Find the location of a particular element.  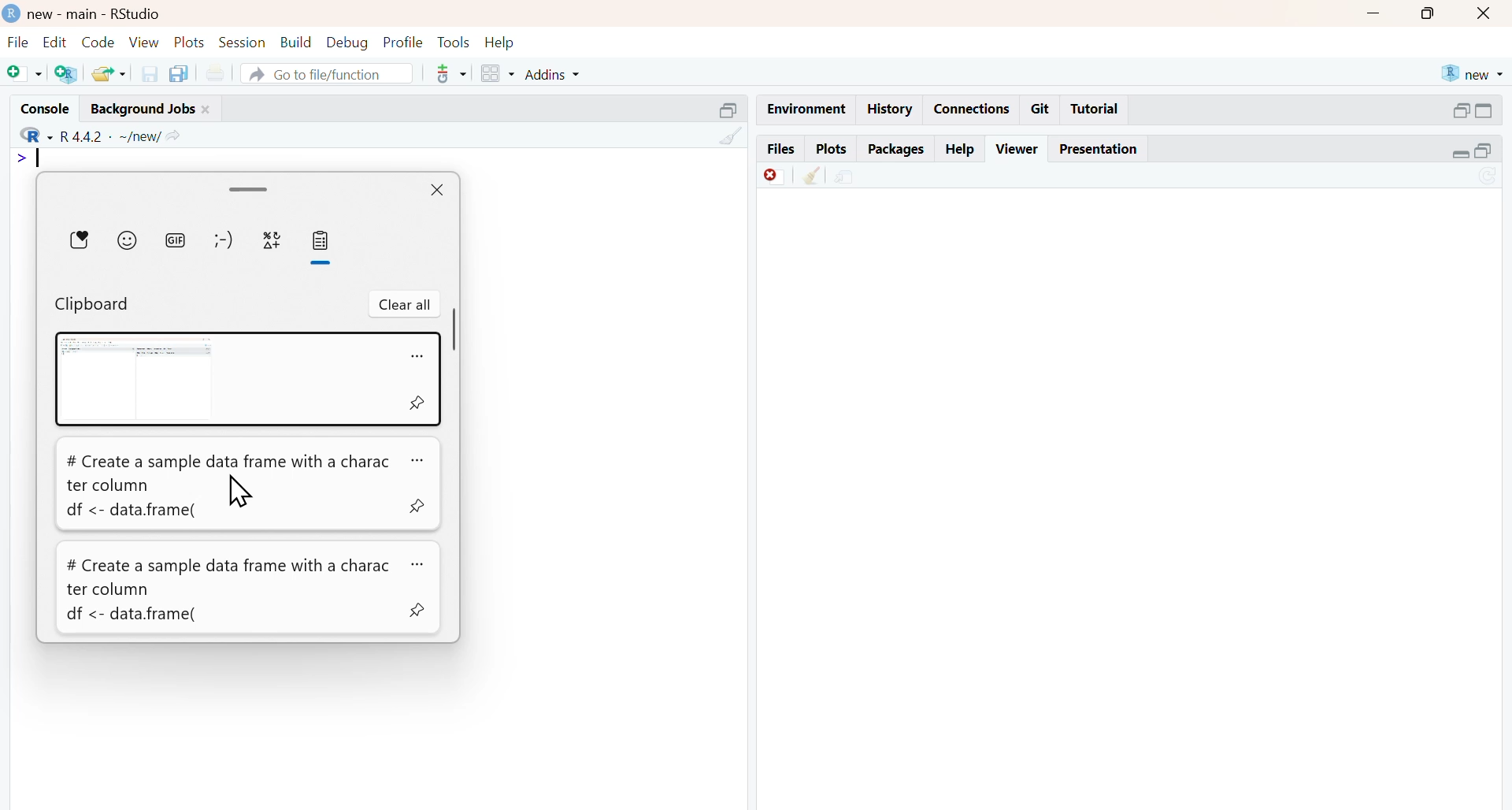

cursor is located at coordinates (241, 493).